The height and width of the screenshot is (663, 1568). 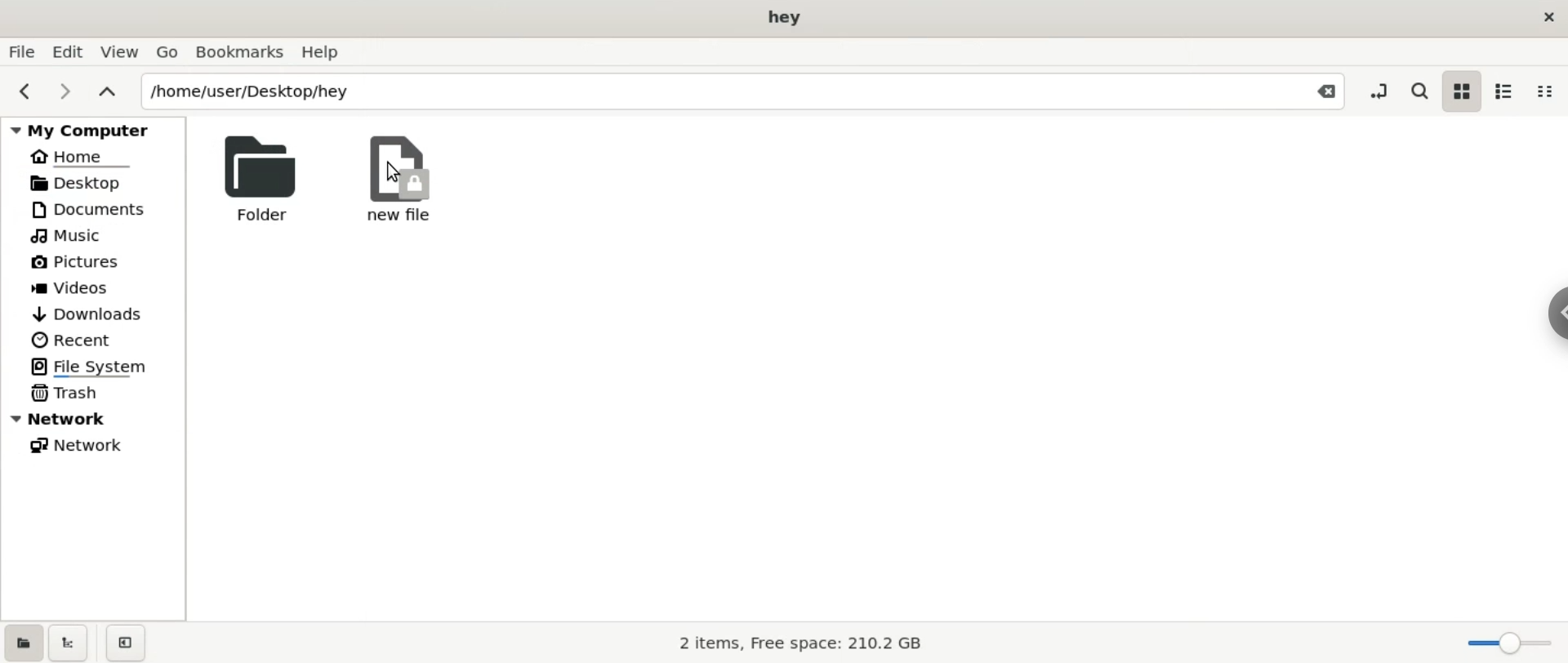 What do you see at coordinates (24, 90) in the screenshot?
I see `previous` at bounding box center [24, 90].